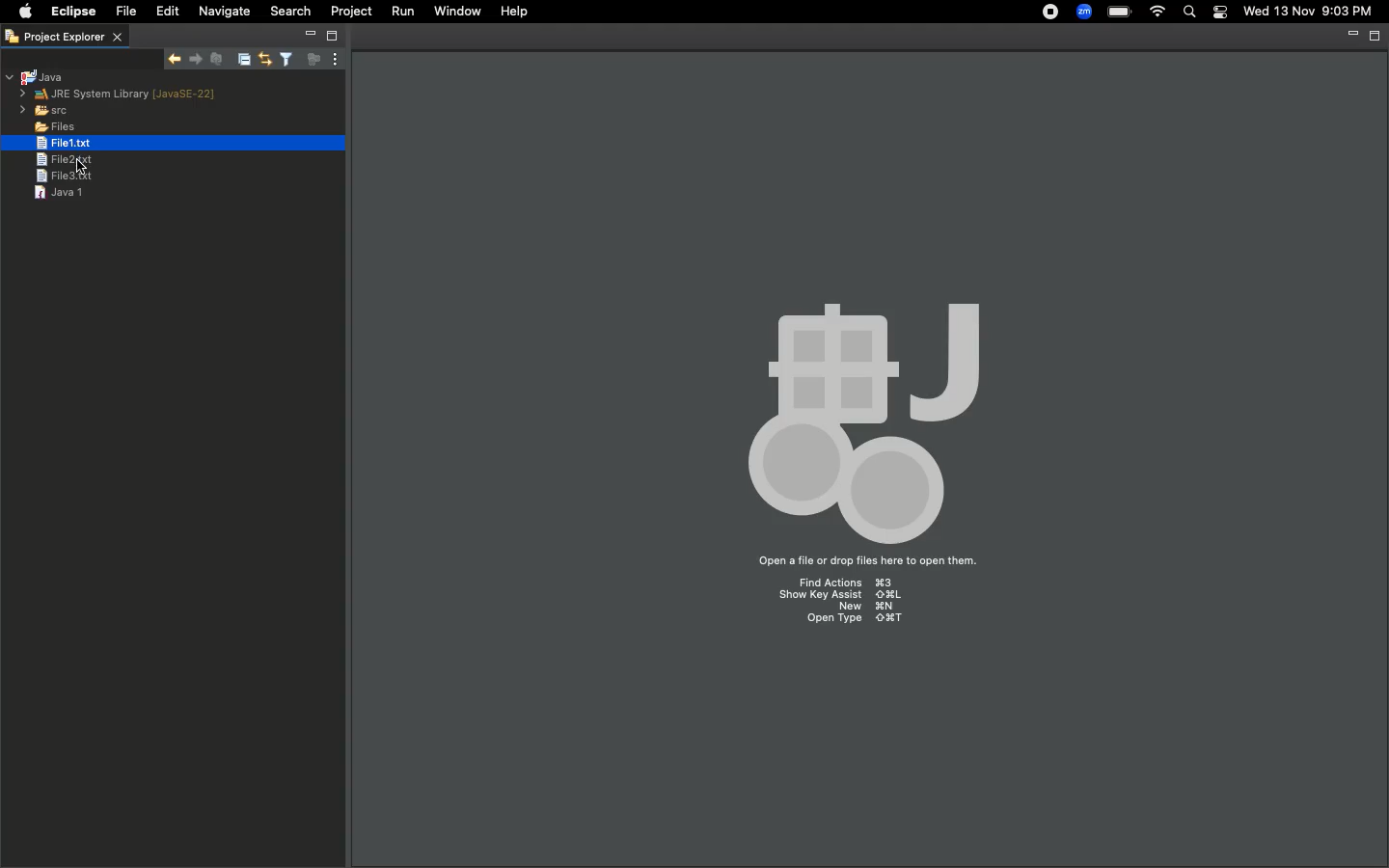 Image resolution: width=1389 pixels, height=868 pixels. What do you see at coordinates (311, 60) in the screenshot?
I see `Focus on active task` at bounding box center [311, 60].